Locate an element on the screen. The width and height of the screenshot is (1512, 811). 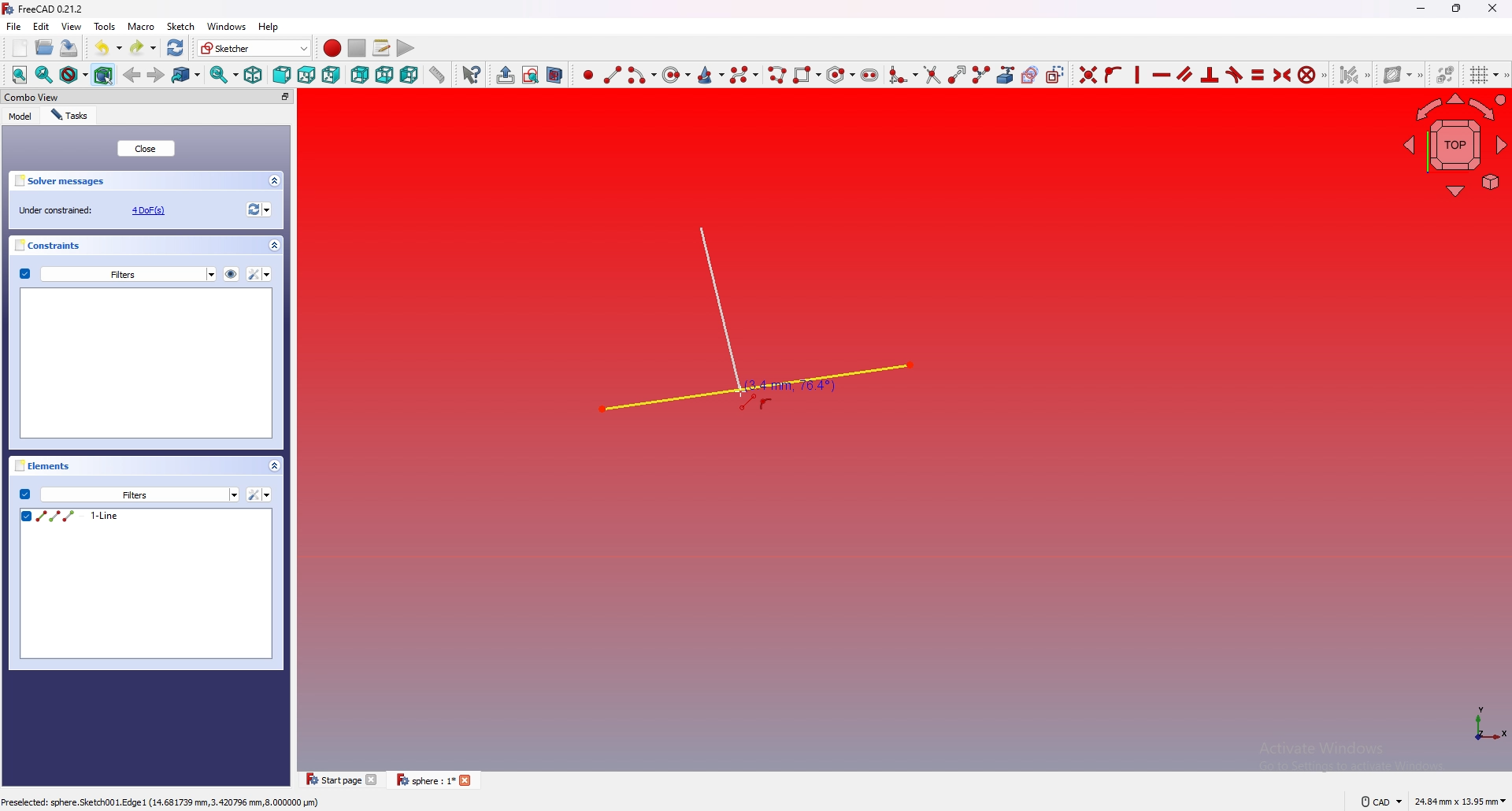
Create arc is located at coordinates (642, 75).